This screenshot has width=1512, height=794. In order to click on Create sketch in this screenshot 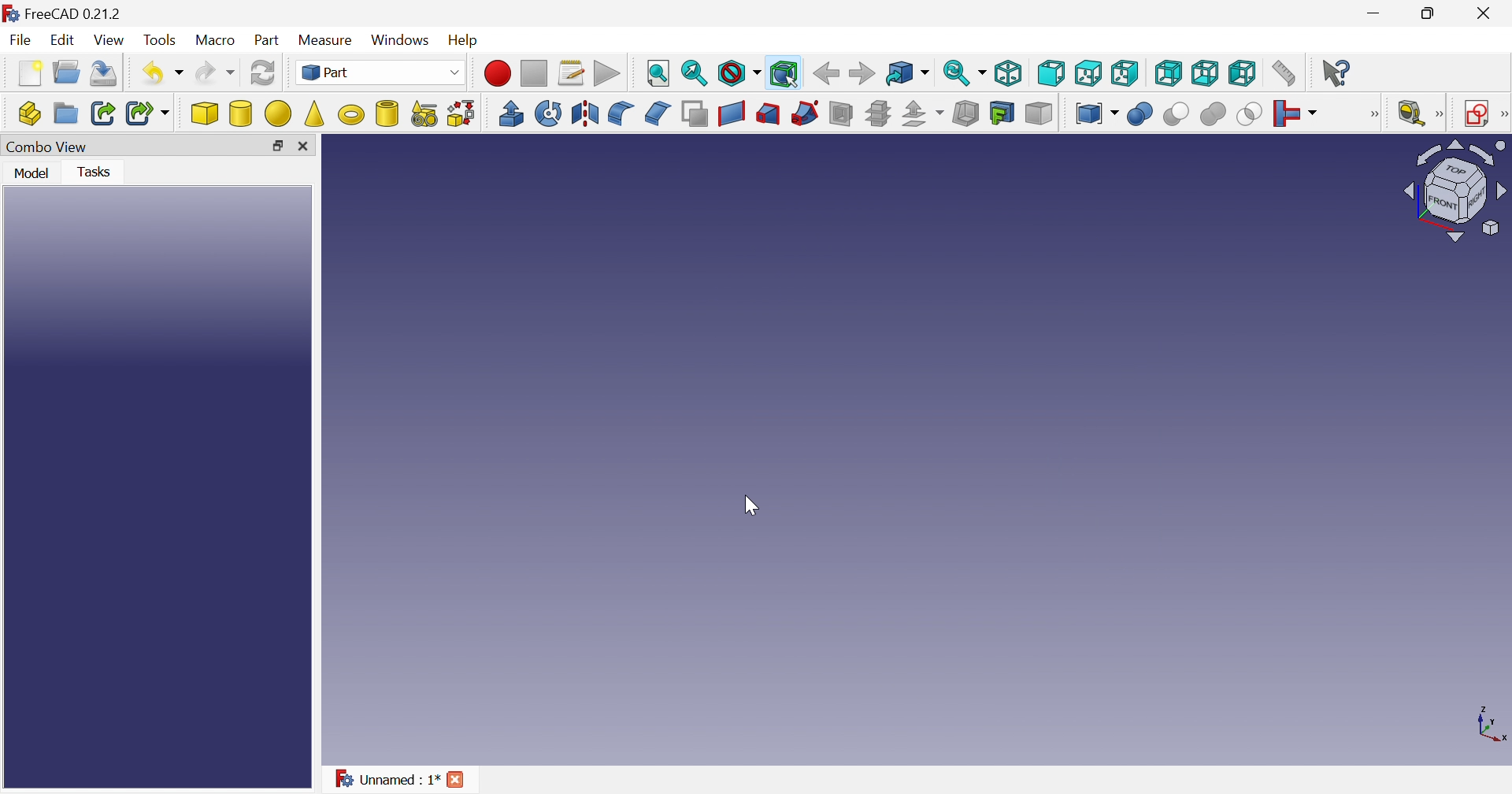, I will do `click(1477, 114)`.